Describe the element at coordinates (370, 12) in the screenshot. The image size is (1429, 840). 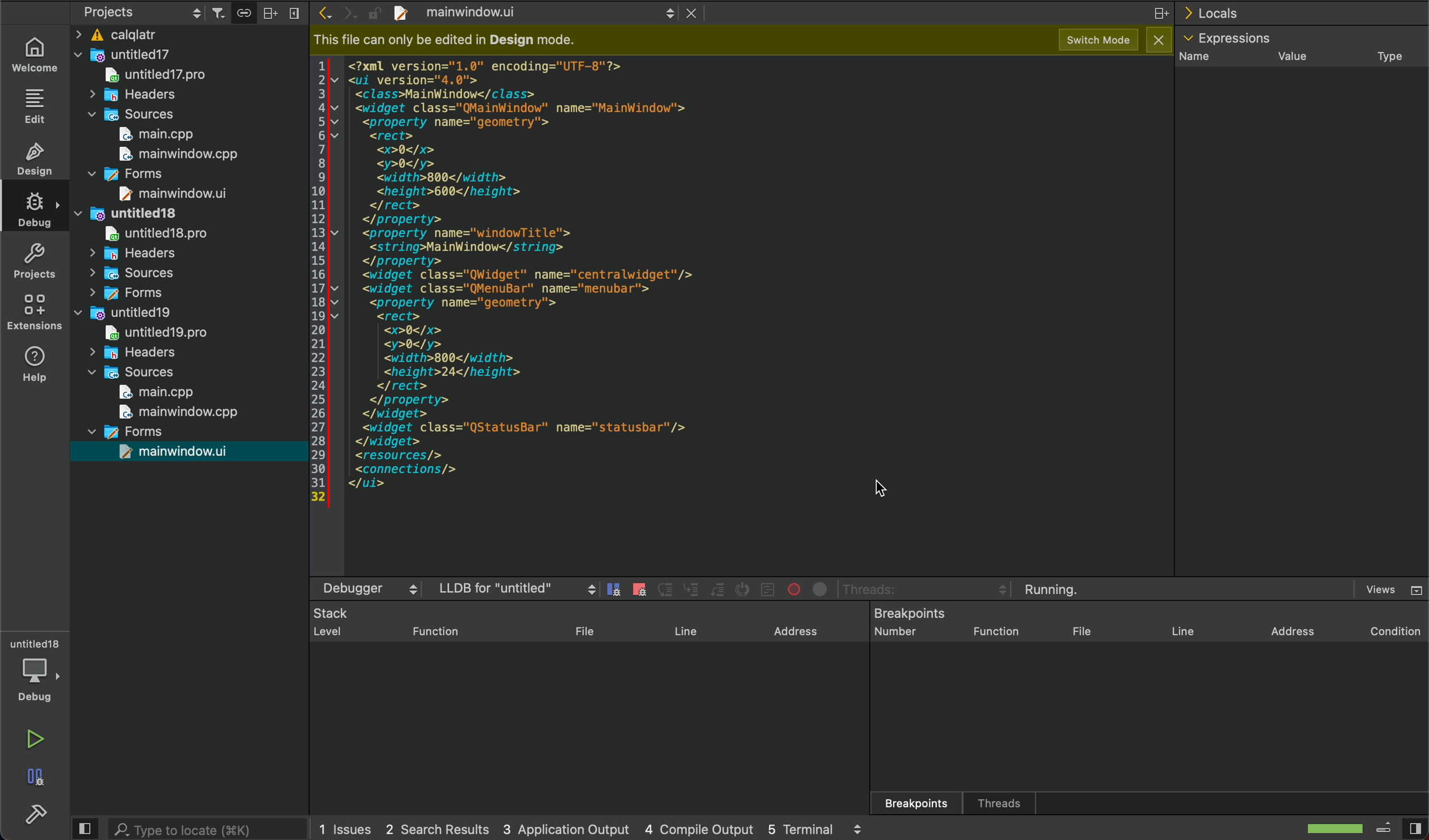
I see `unlock` at that location.